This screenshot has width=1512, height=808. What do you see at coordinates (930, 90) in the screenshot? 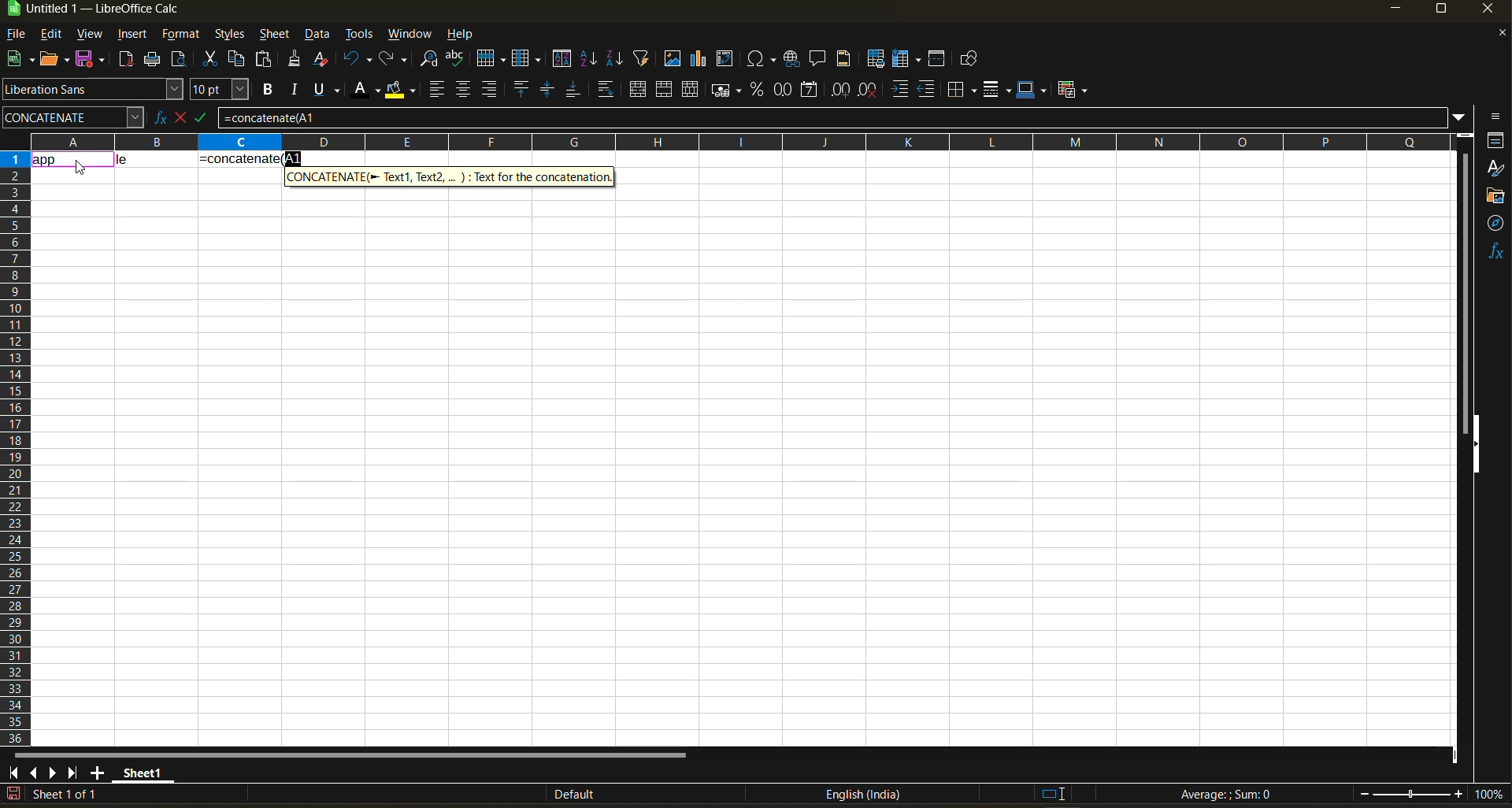
I see `decrease indent` at bounding box center [930, 90].